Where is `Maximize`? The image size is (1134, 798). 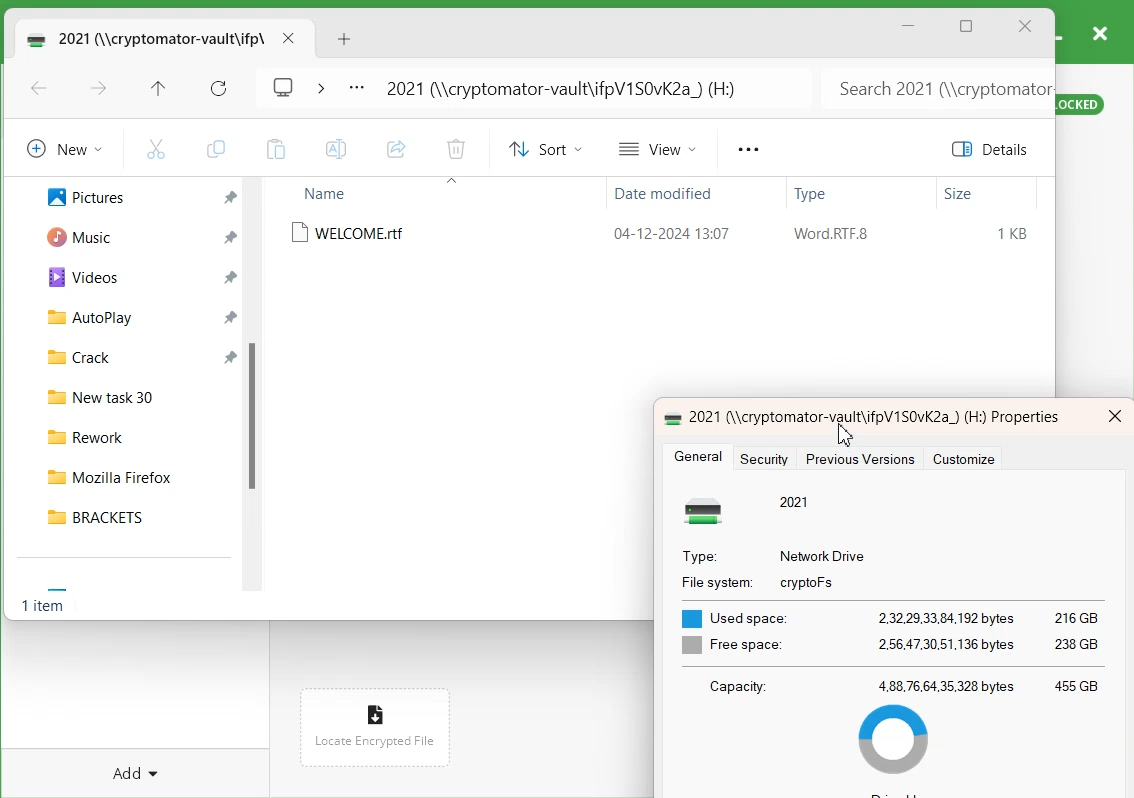
Maximize is located at coordinates (967, 28).